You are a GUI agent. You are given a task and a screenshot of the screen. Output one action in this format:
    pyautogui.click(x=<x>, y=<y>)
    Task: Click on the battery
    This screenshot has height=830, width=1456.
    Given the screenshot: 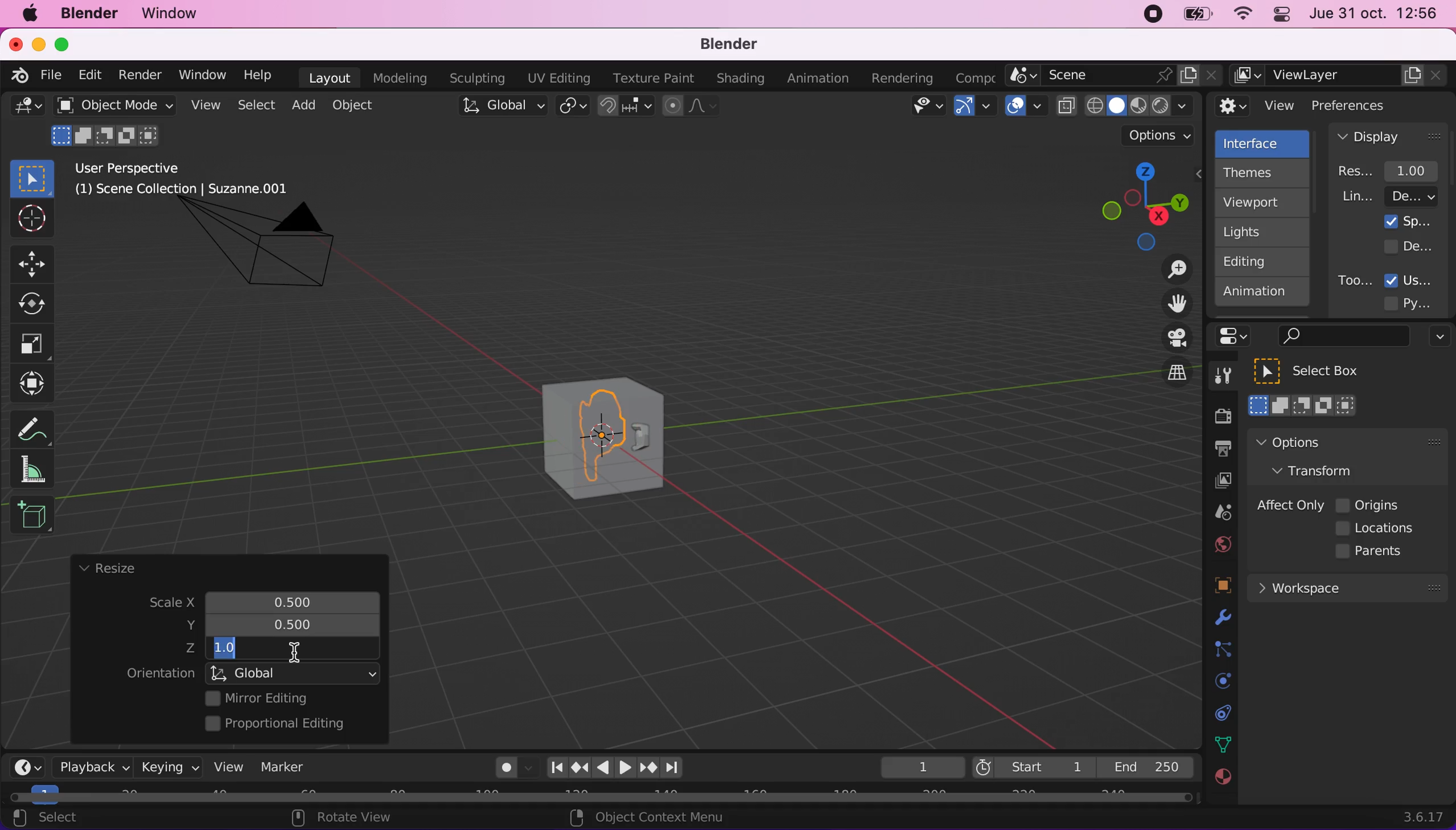 What is the action you would take?
    pyautogui.click(x=1193, y=17)
    